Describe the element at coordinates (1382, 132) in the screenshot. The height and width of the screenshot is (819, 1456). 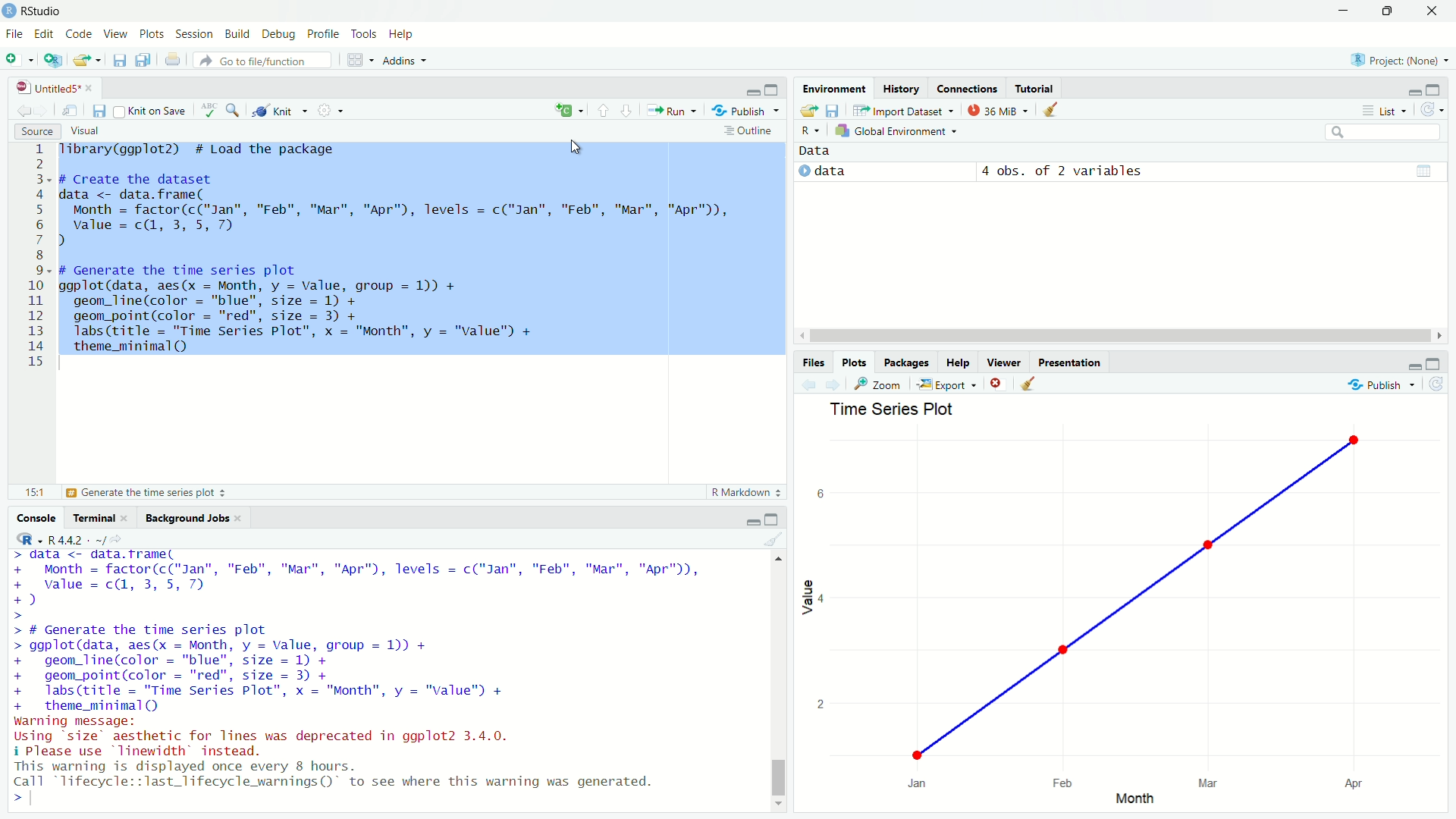
I see `search field` at that location.